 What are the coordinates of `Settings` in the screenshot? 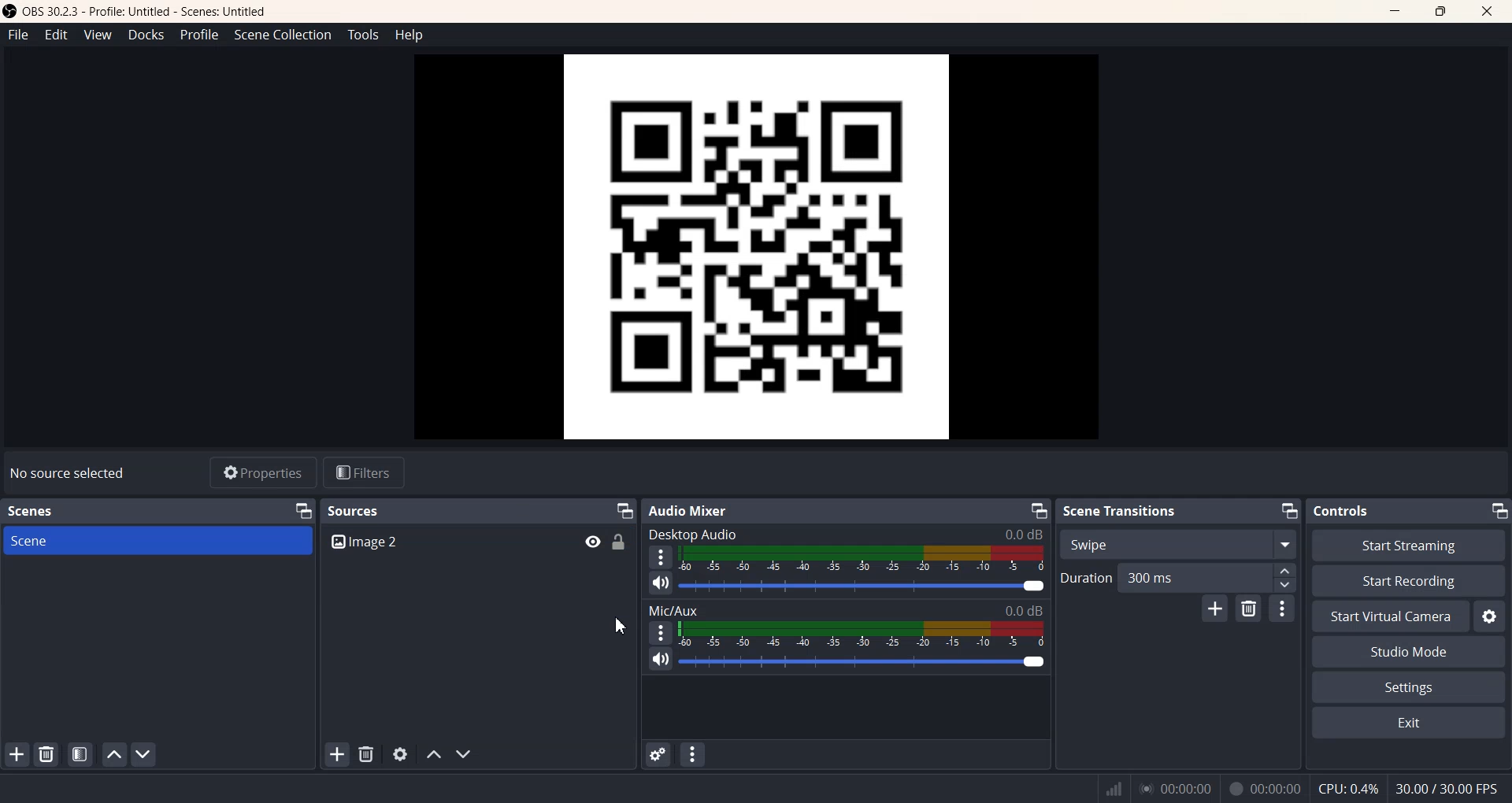 It's located at (1492, 616).